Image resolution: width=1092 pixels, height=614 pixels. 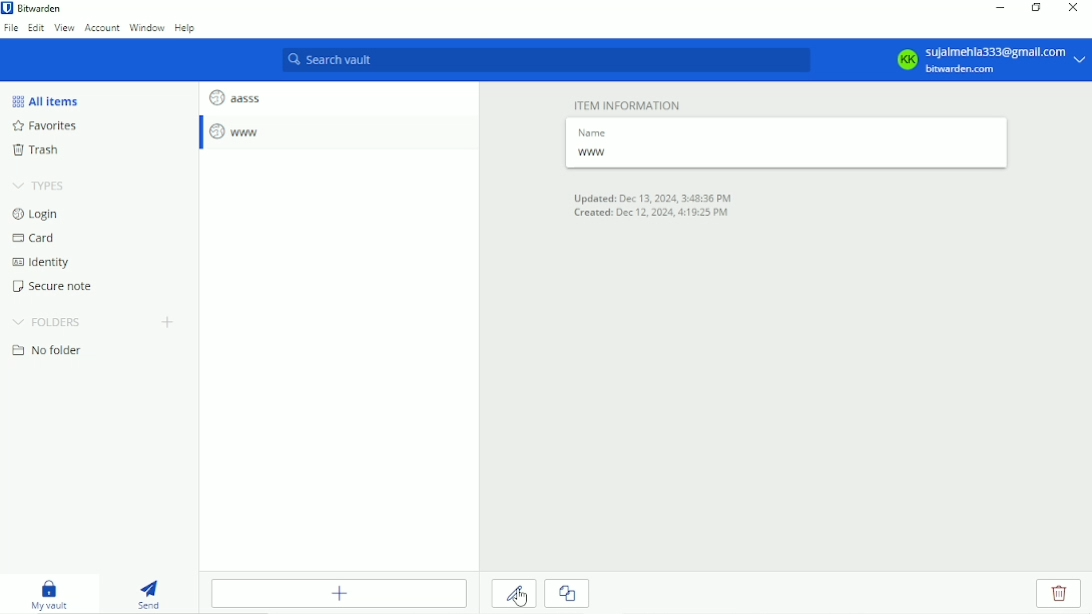 What do you see at coordinates (1003, 7) in the screenshot?
I see `Minimize` at bounding box center [1003, 7].